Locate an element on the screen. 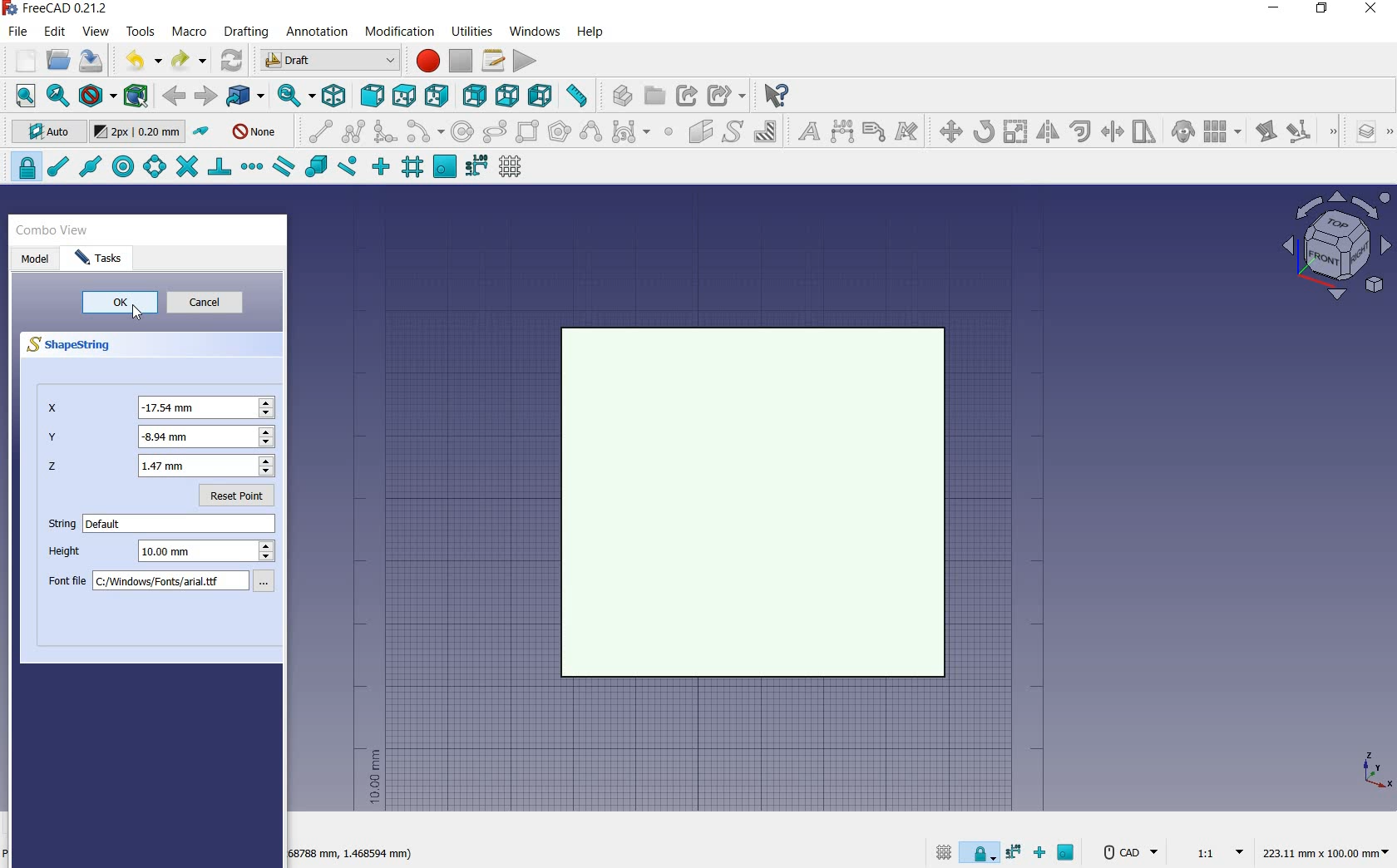 This screenshot has height=868, width=1397. annotation styles is located at coordinates (908, 134).